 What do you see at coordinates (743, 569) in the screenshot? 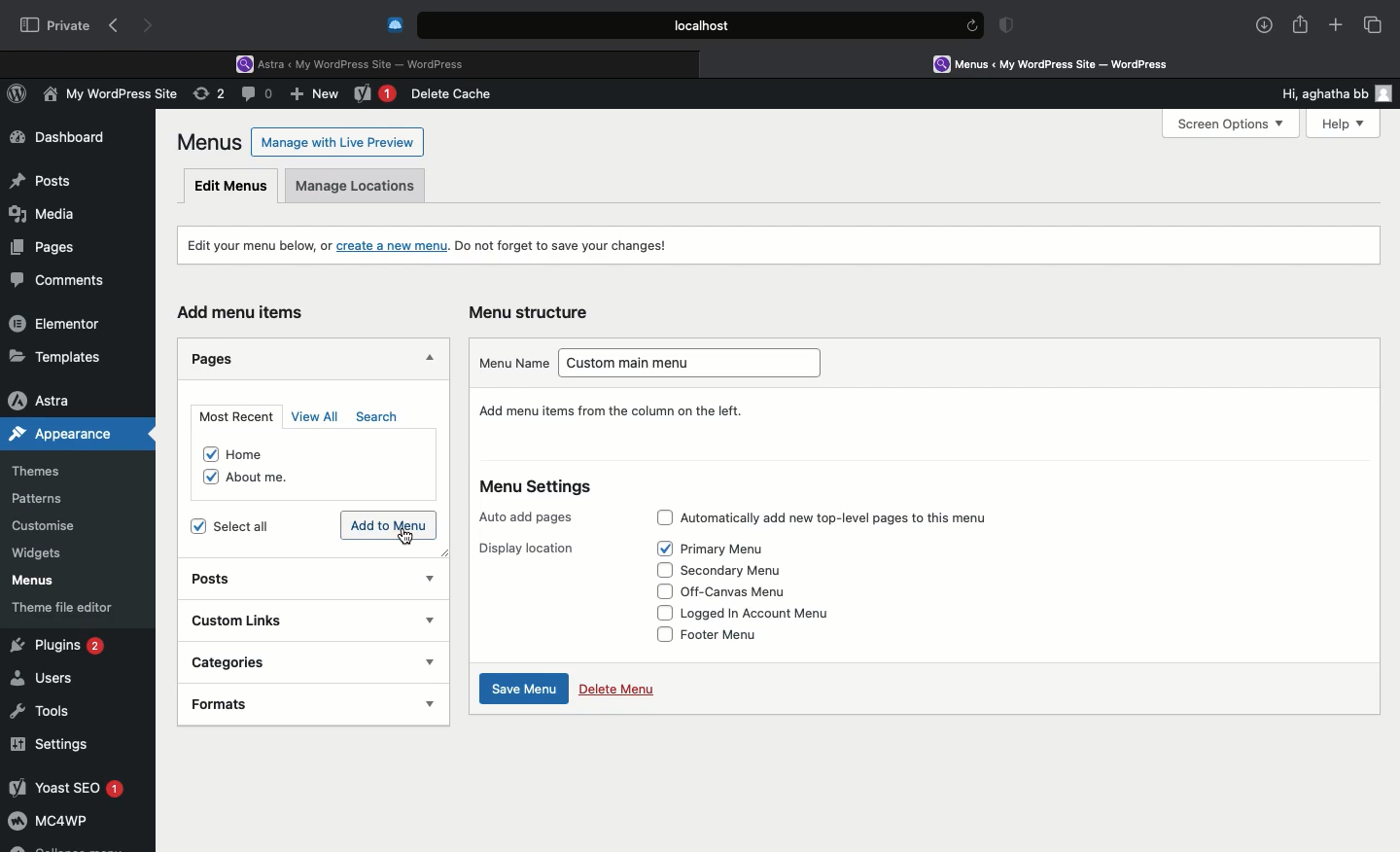
I see `Secondary menu` at bounding box center [743, 569].